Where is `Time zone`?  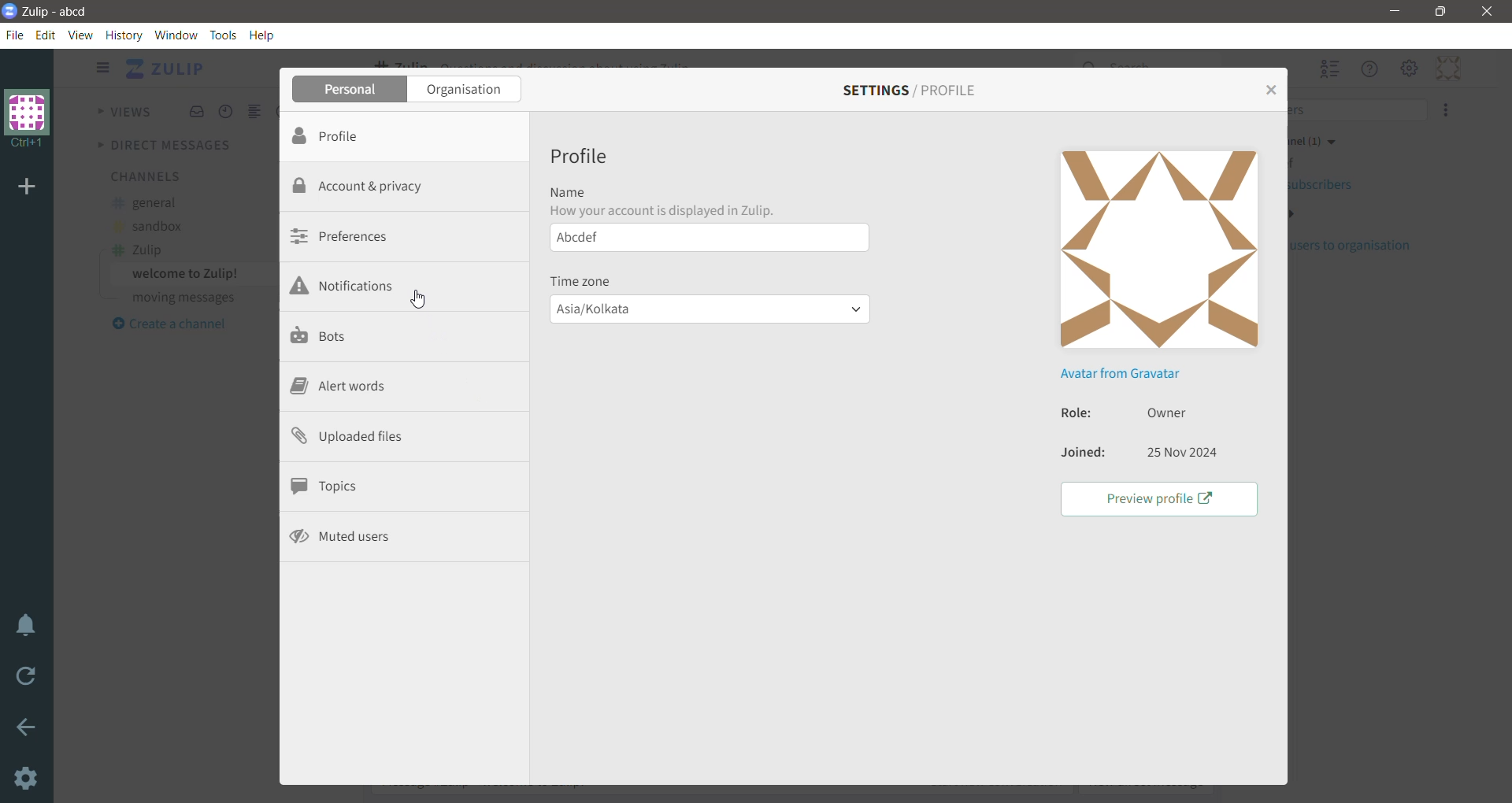 Time zone is located at coordinates (584, 280).